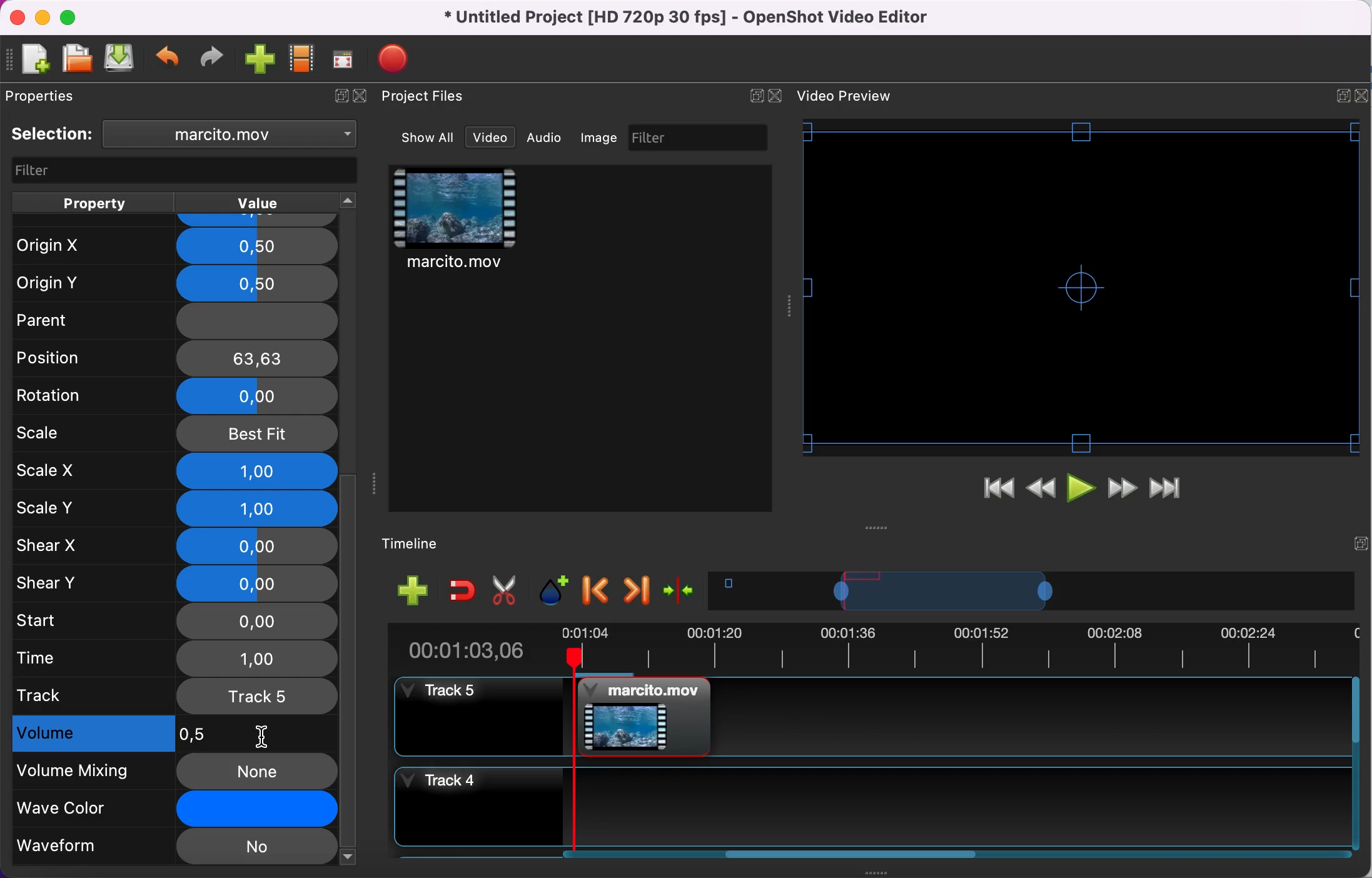 The height and width of the screenshot is (878, 1372). What do you see at coordinates (338, 97) in the screenshot?
I see `expand/hide` at bounding box center [338, 97].